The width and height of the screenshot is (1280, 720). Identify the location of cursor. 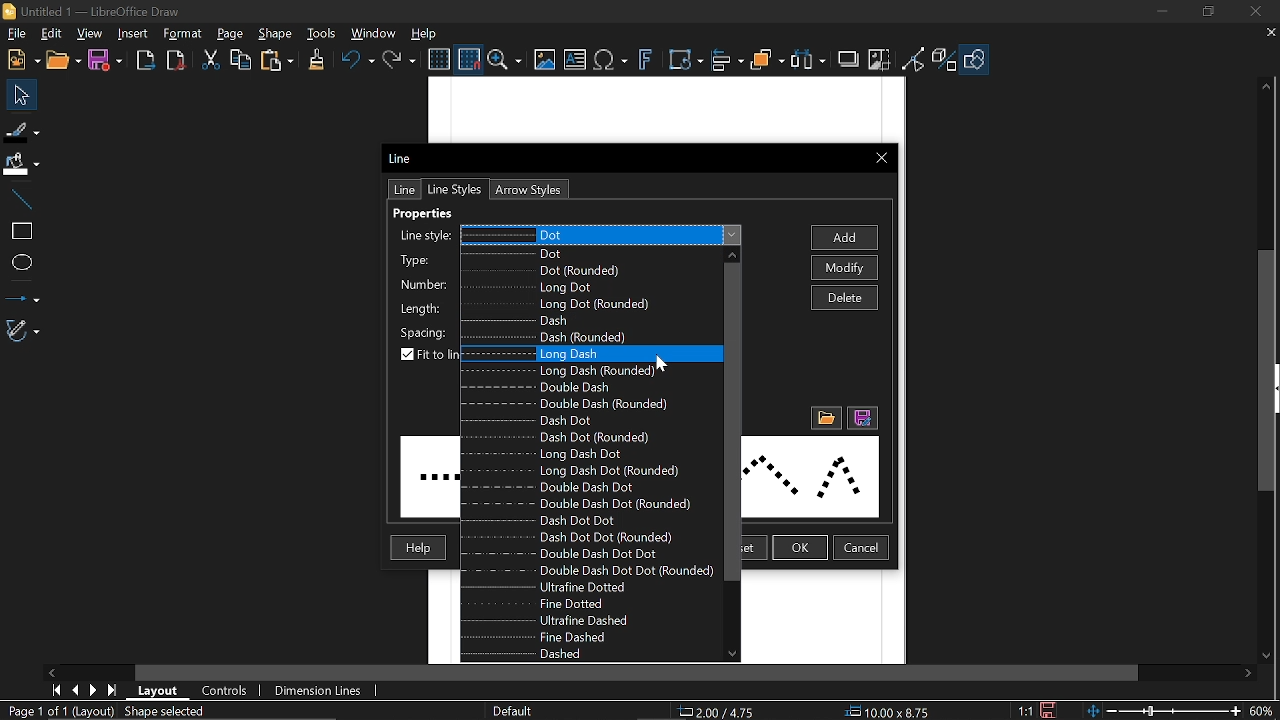
(665, 363).